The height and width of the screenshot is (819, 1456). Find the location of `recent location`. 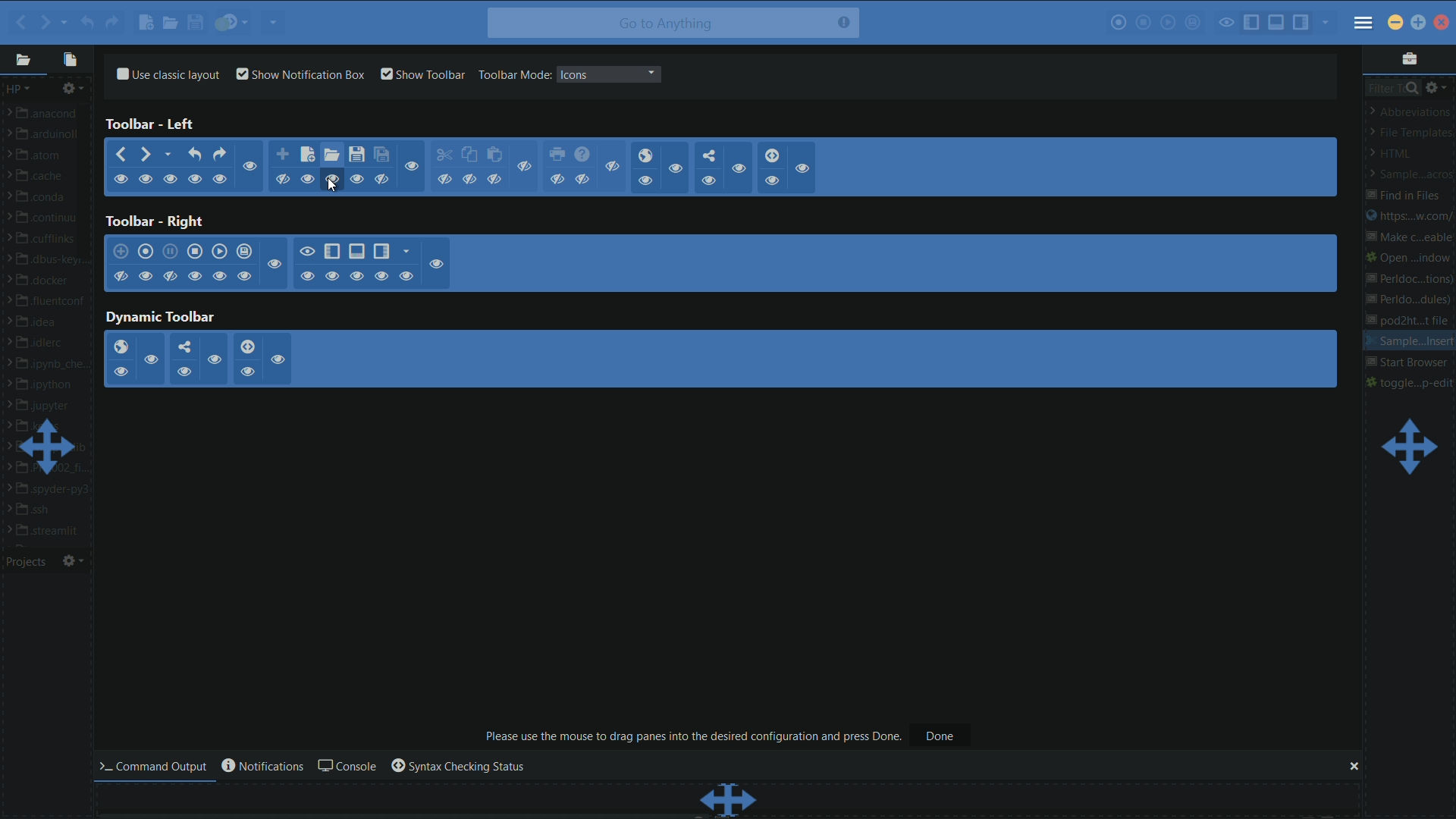

recent location is located at coordinates (64, 19).